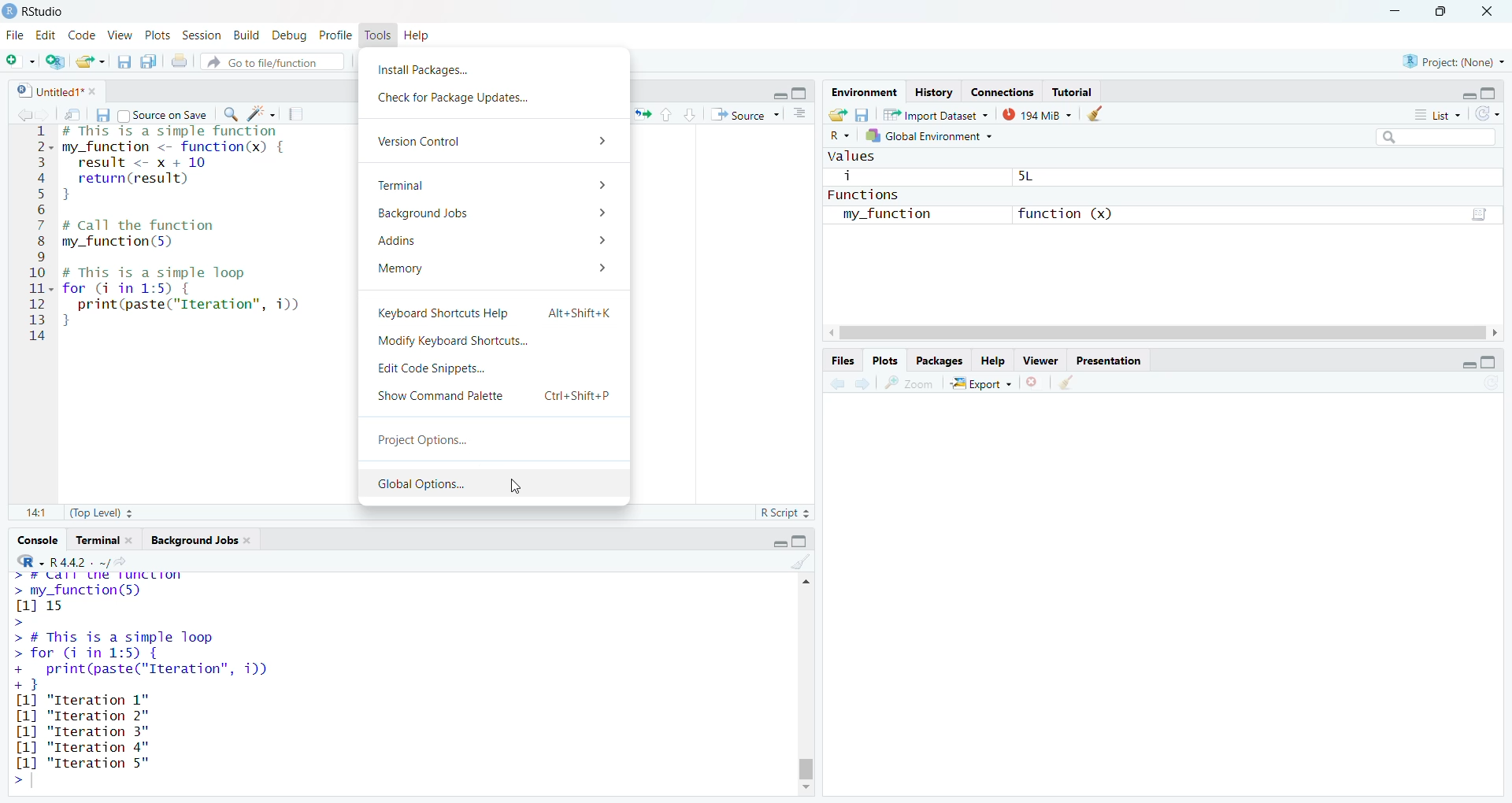 Image resolution: width=1512 pixels, height=803 pixels. Describe the element at coordinates (1109, 359) in the screenshot. I see `presentation` at that location.